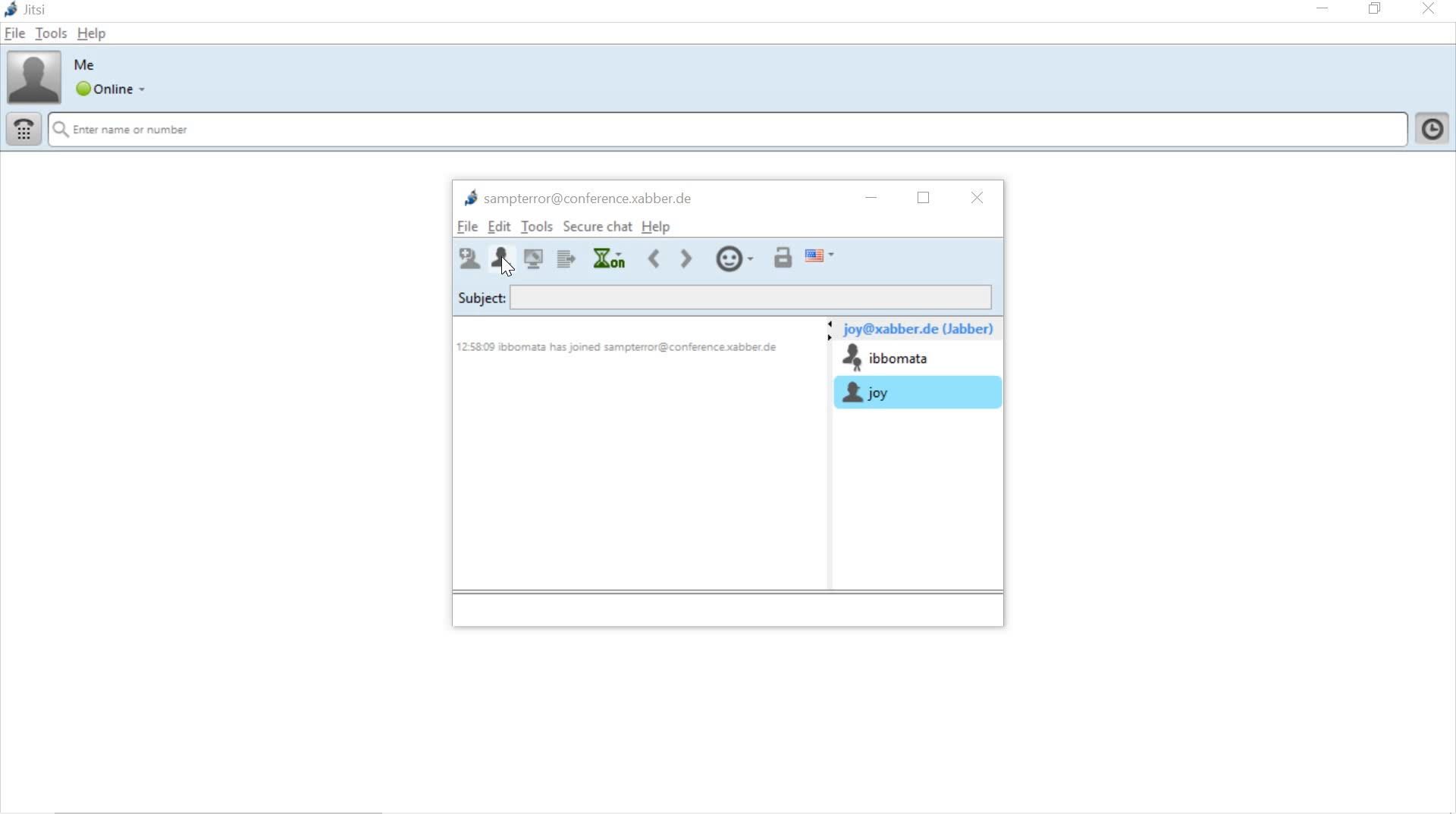  I want to click on move forward or back, so click(674, 260).